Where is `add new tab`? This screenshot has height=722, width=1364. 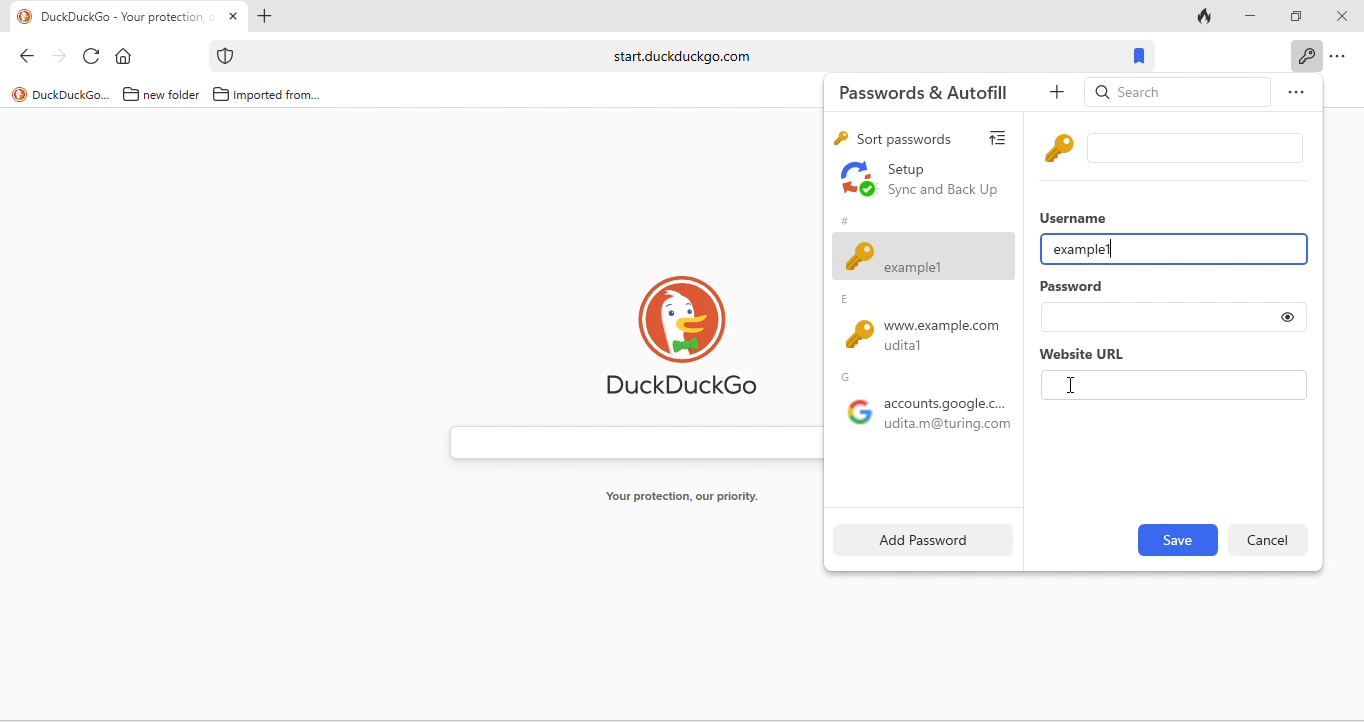
add new tab is located at coordinates (267, 16).